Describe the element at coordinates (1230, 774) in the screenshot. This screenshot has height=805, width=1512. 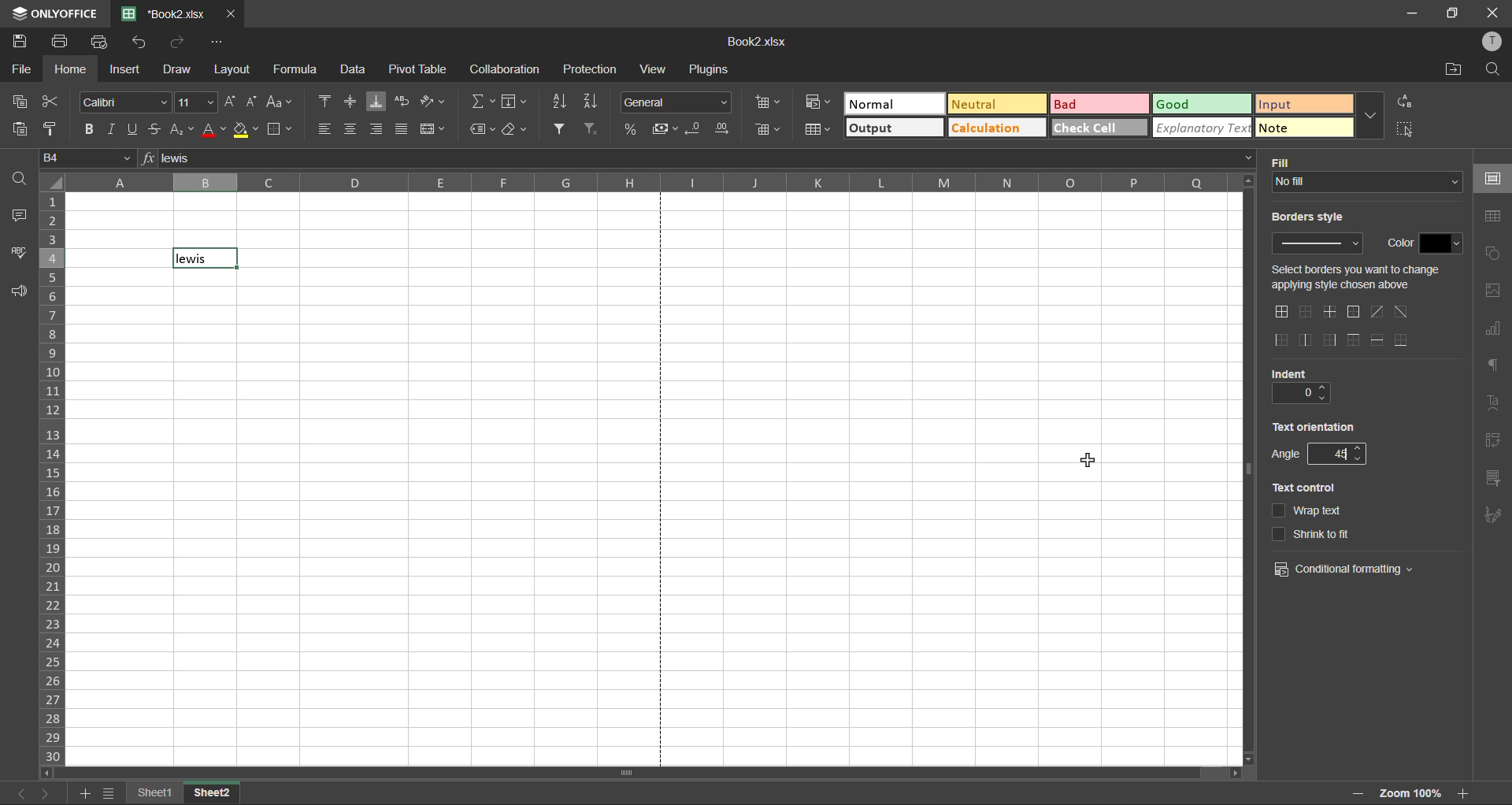
I see `move right` at that location.